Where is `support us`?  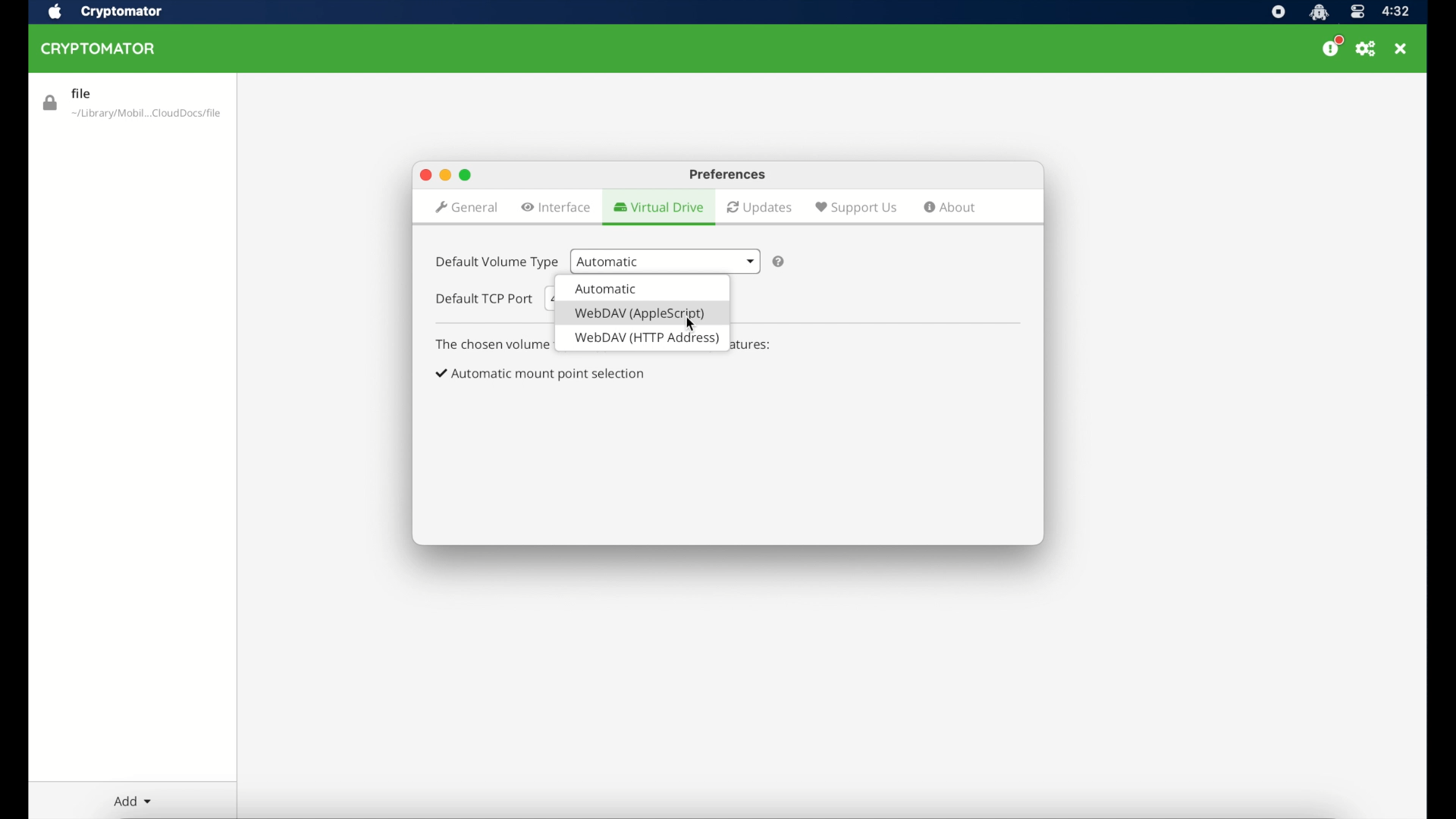 support us is located at coordinates (855, 207).